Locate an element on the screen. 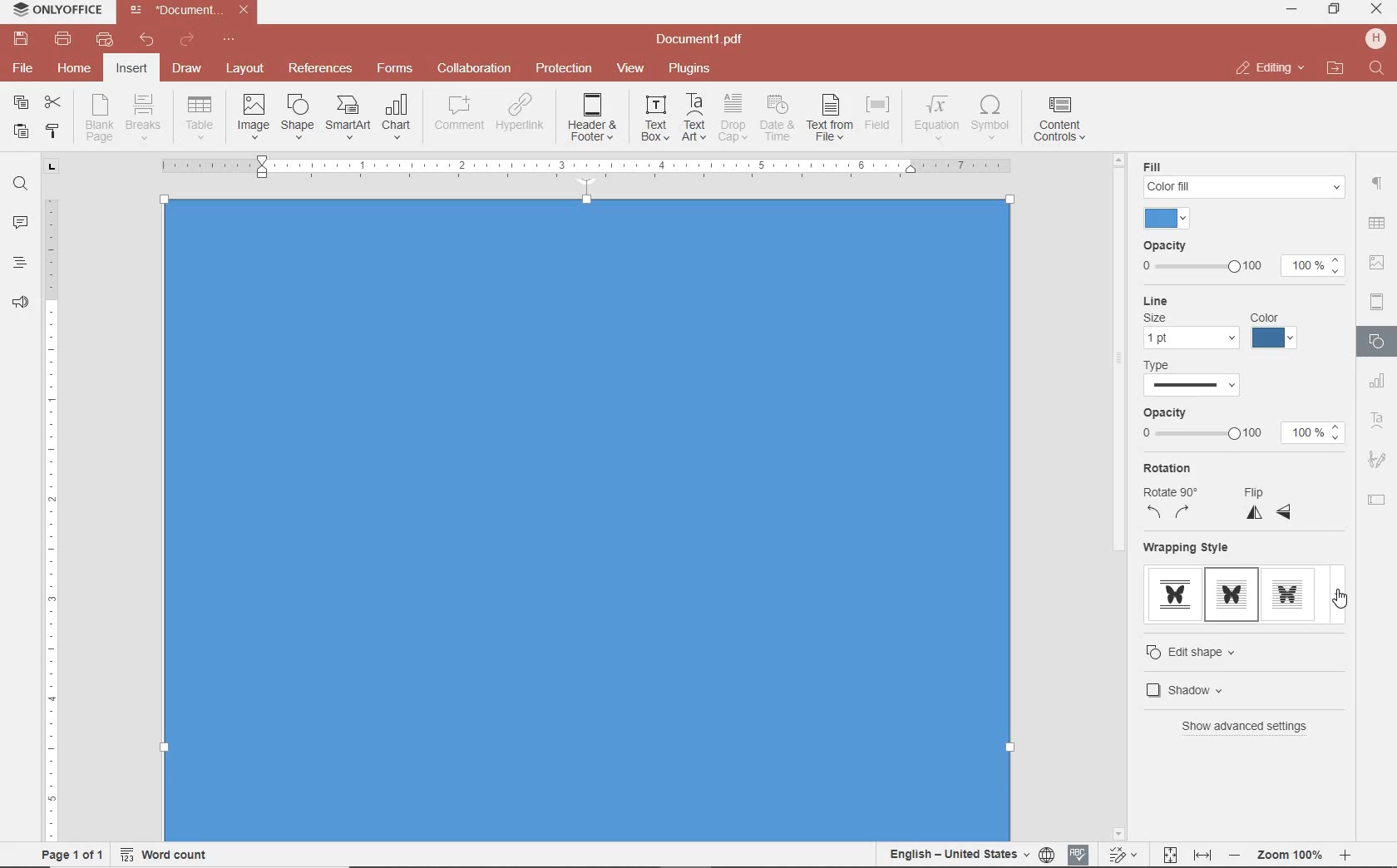  view is located at coordinates (630, 69).